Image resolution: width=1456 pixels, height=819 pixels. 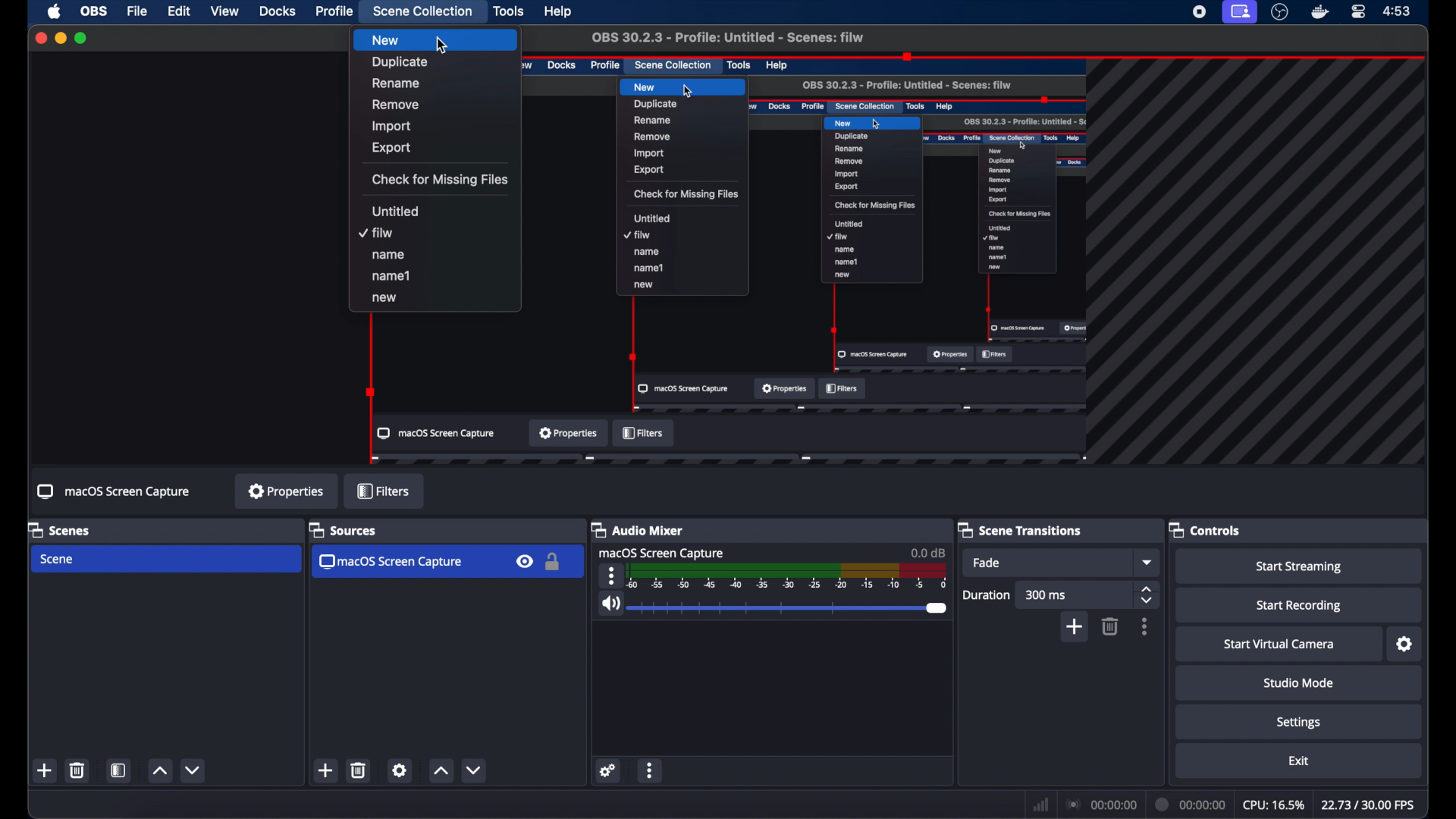 What do you see at coordinates (399, 62) in the screenshot?
I see `duplicate` at bounding box center [399, 62].